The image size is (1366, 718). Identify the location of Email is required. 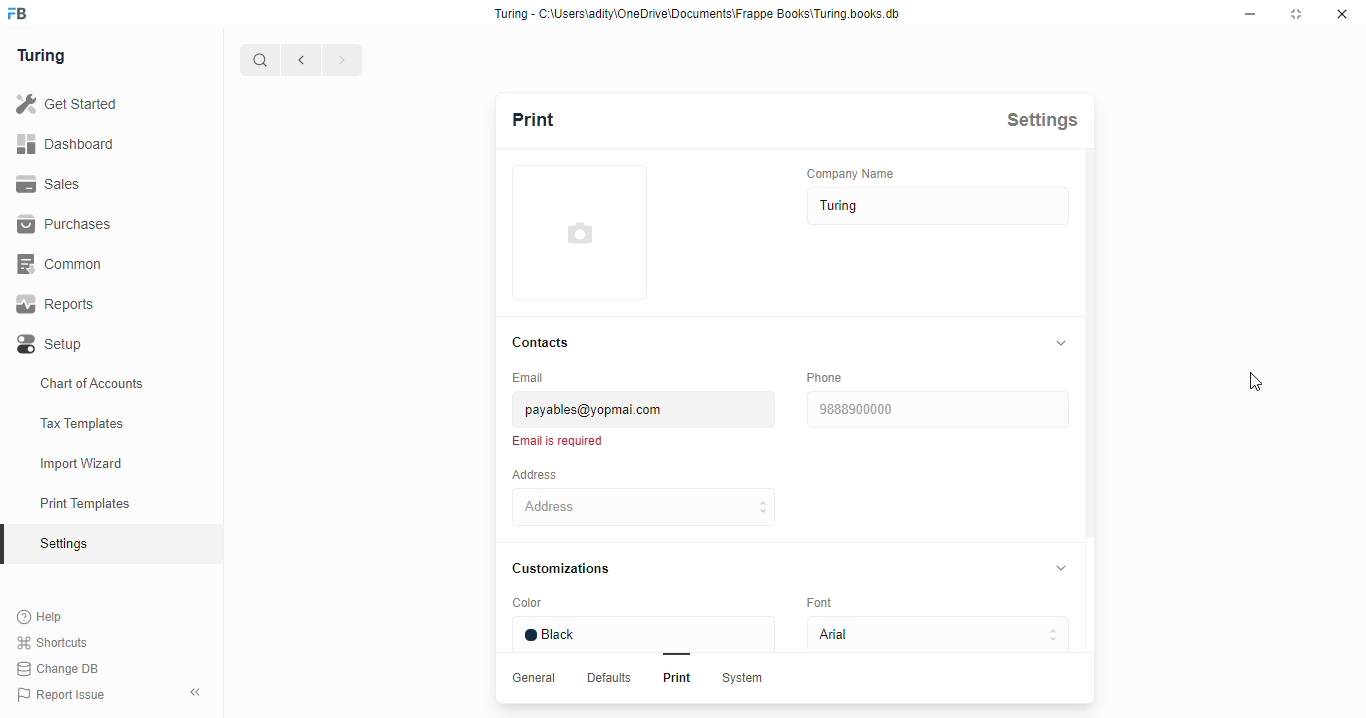
(562, 441).